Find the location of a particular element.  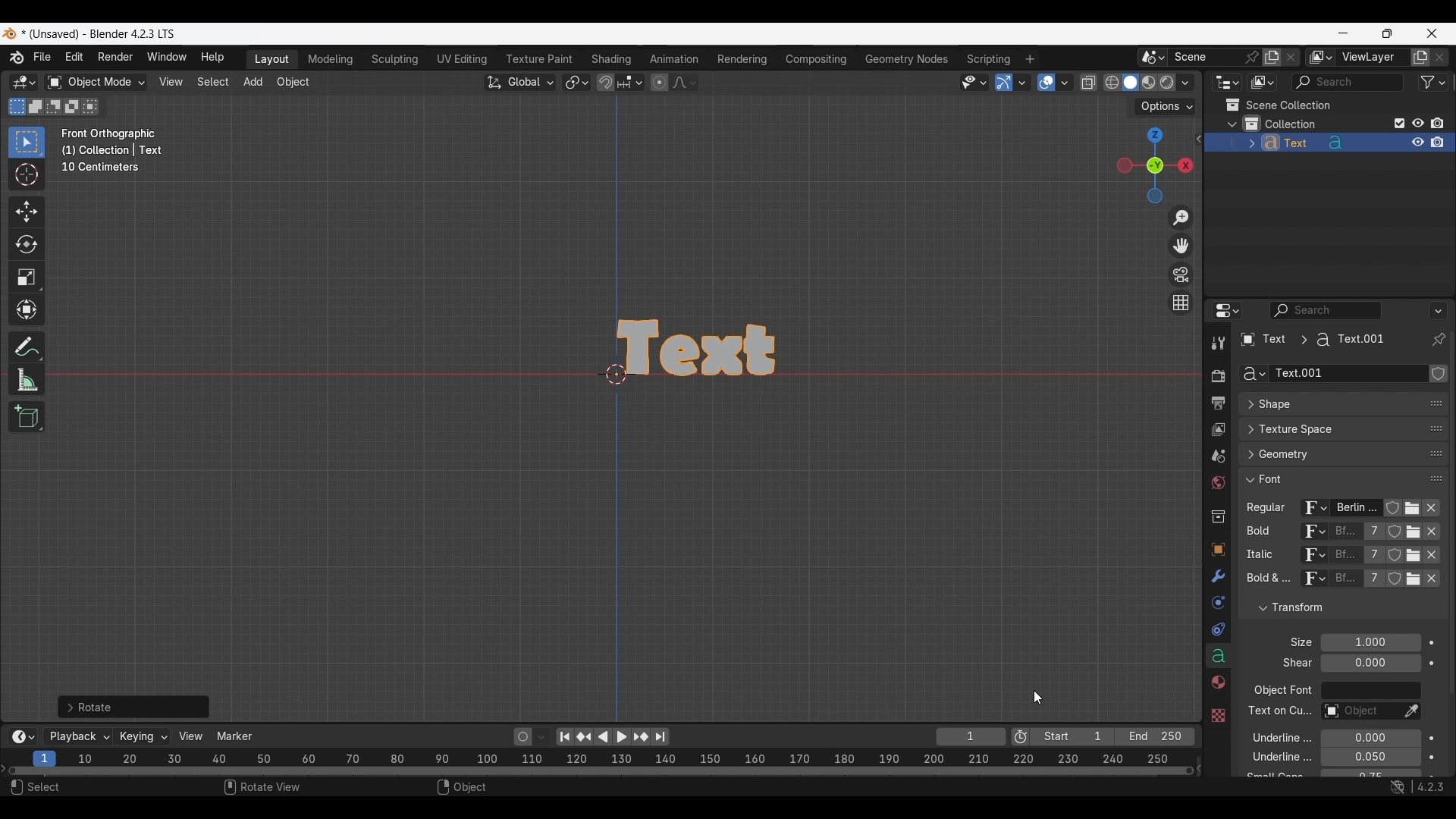

Data, current selection is located at coordinates (1218, 656).